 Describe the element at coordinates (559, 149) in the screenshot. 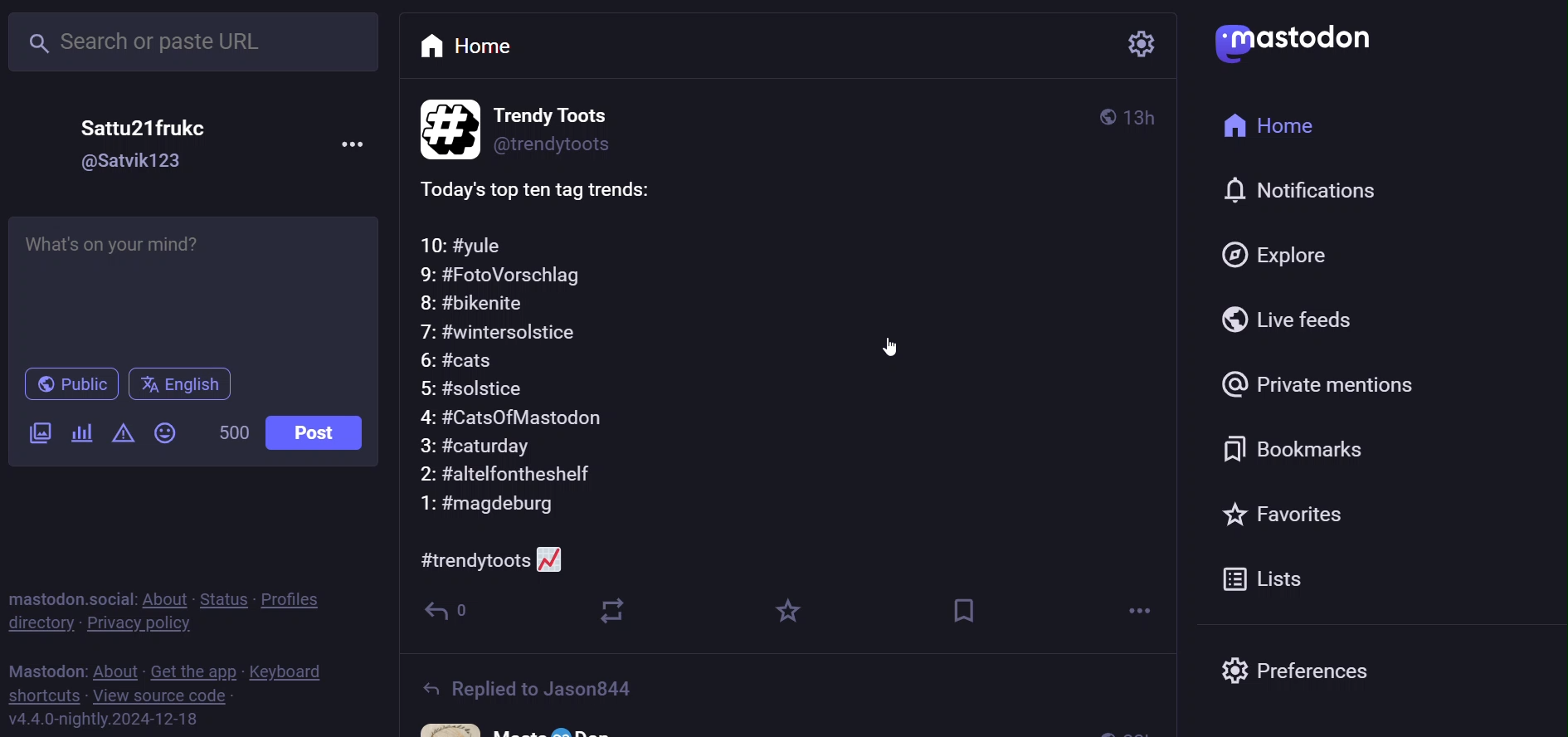

I see `@trendytoots` at that location.